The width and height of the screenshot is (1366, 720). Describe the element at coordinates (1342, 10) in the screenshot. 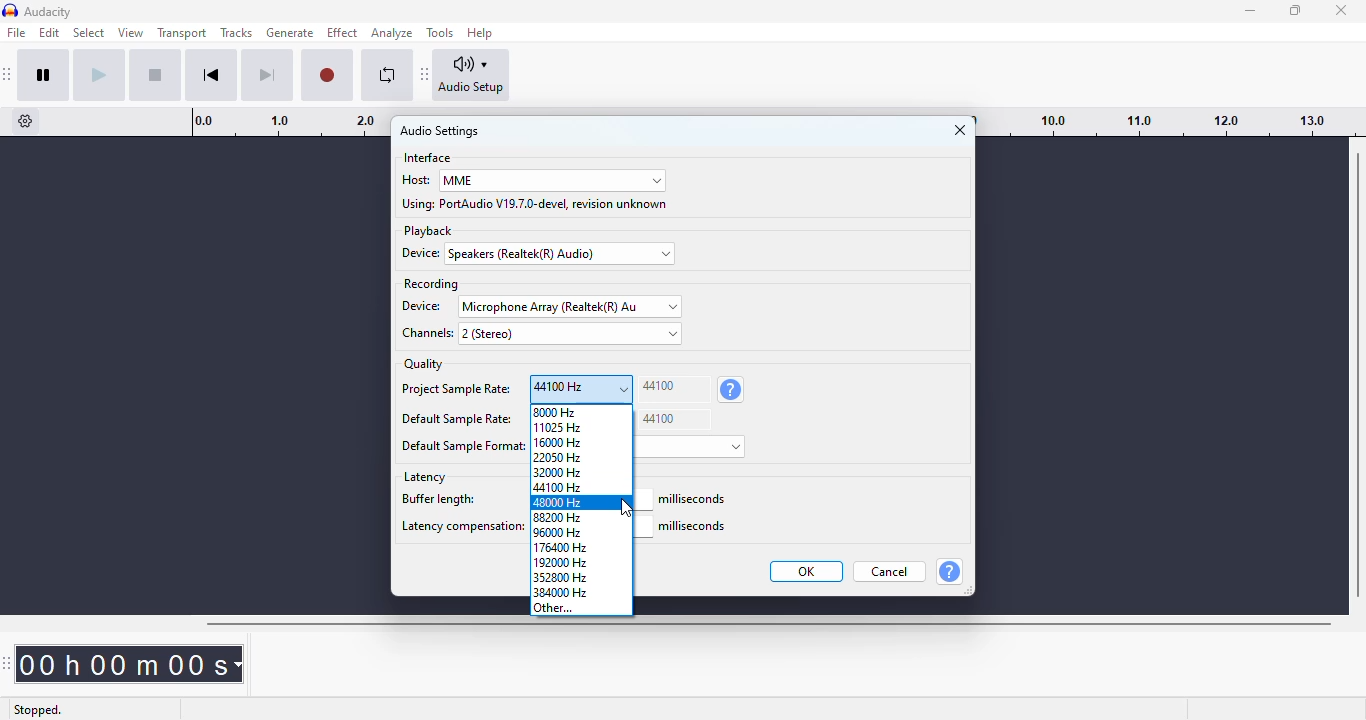

I see `close` at that location.